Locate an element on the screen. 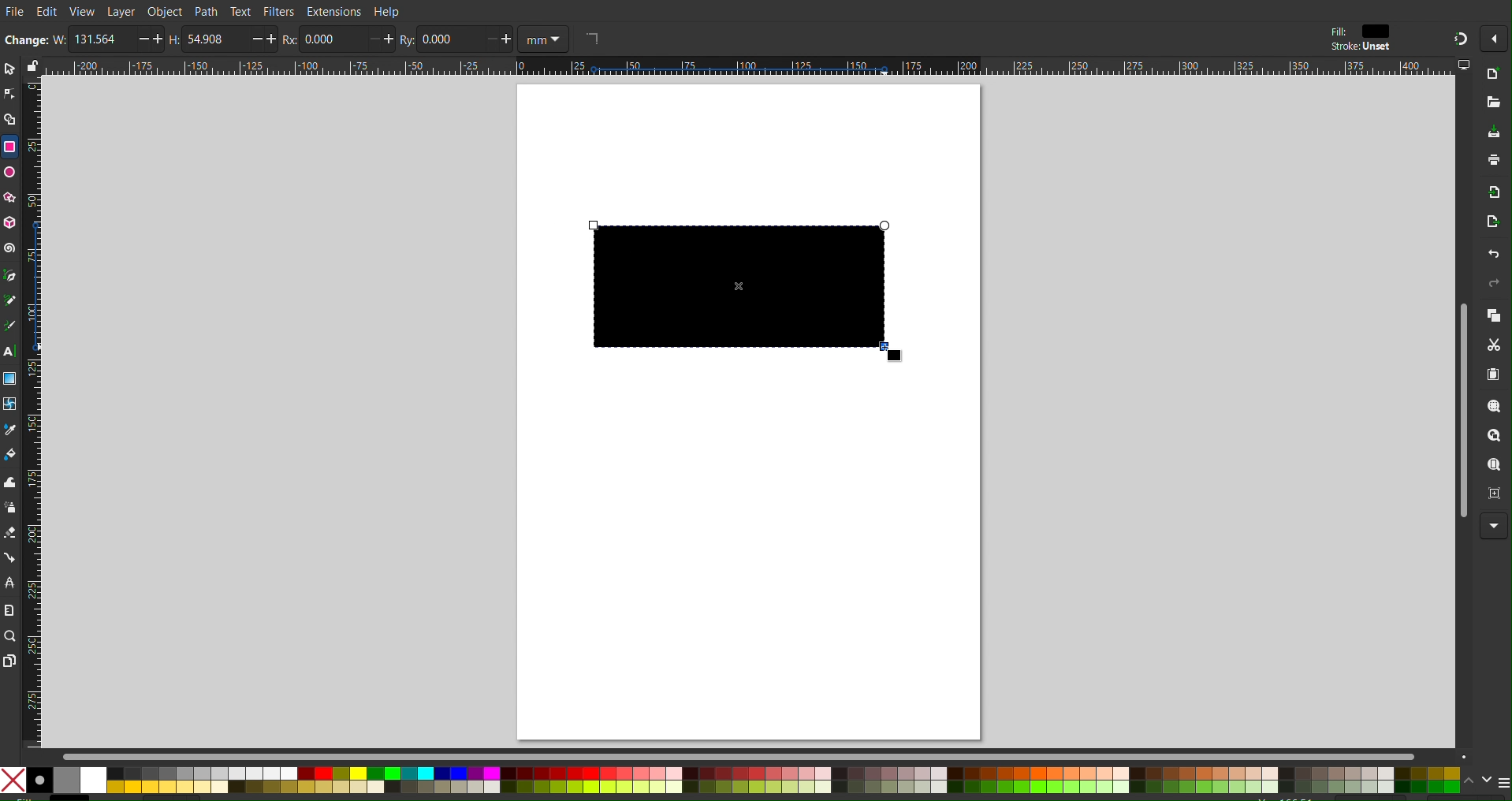 The height and width of the screenshot is (801, 1512). Filters is located at coordinates (278, 13).